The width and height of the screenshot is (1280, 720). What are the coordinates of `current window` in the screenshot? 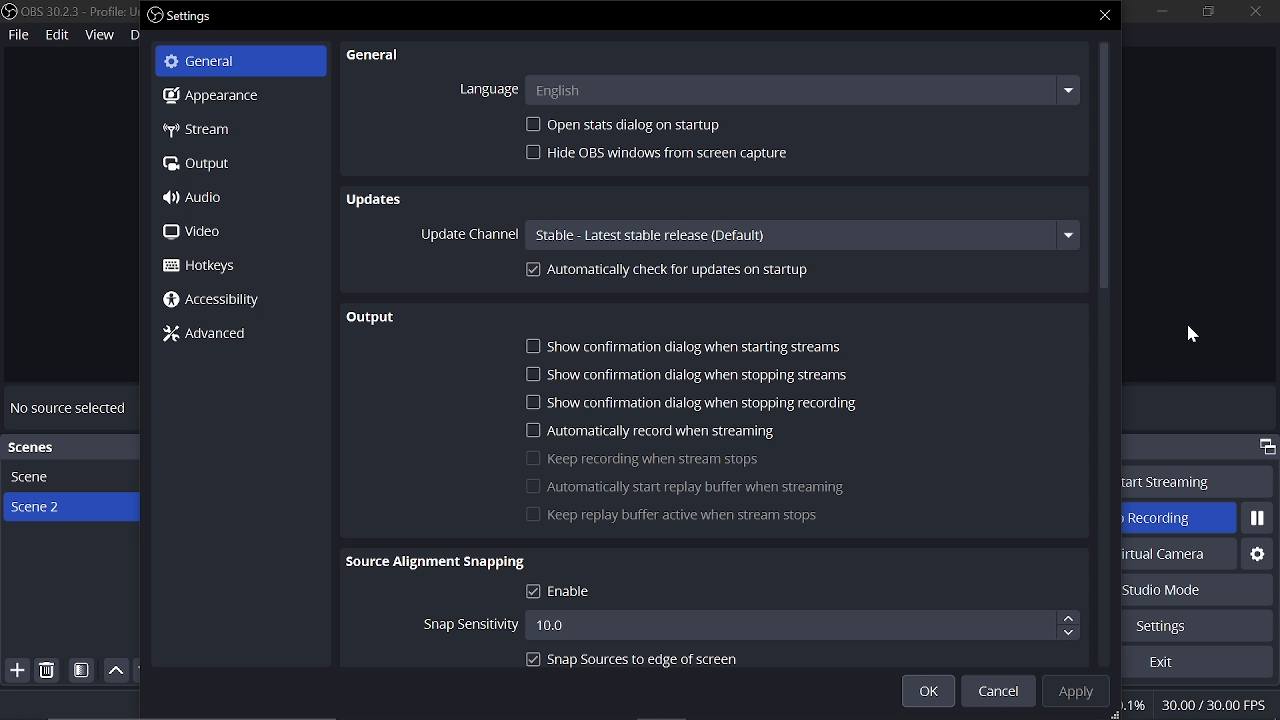 It's located at (186, 15).